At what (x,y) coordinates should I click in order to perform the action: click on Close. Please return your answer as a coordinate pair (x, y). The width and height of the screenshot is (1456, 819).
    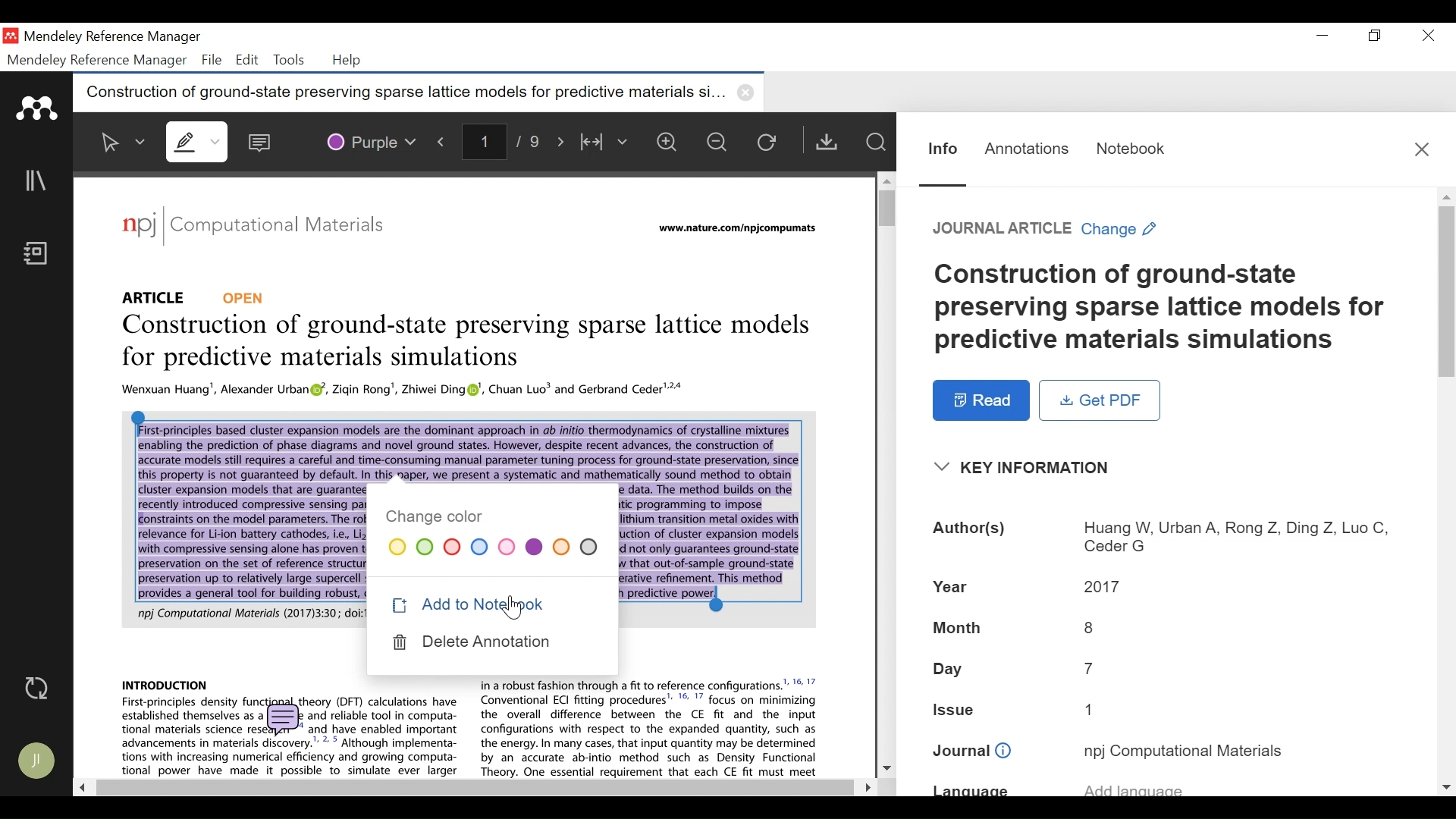
    Looking at the image, I should click on (1425, 36).